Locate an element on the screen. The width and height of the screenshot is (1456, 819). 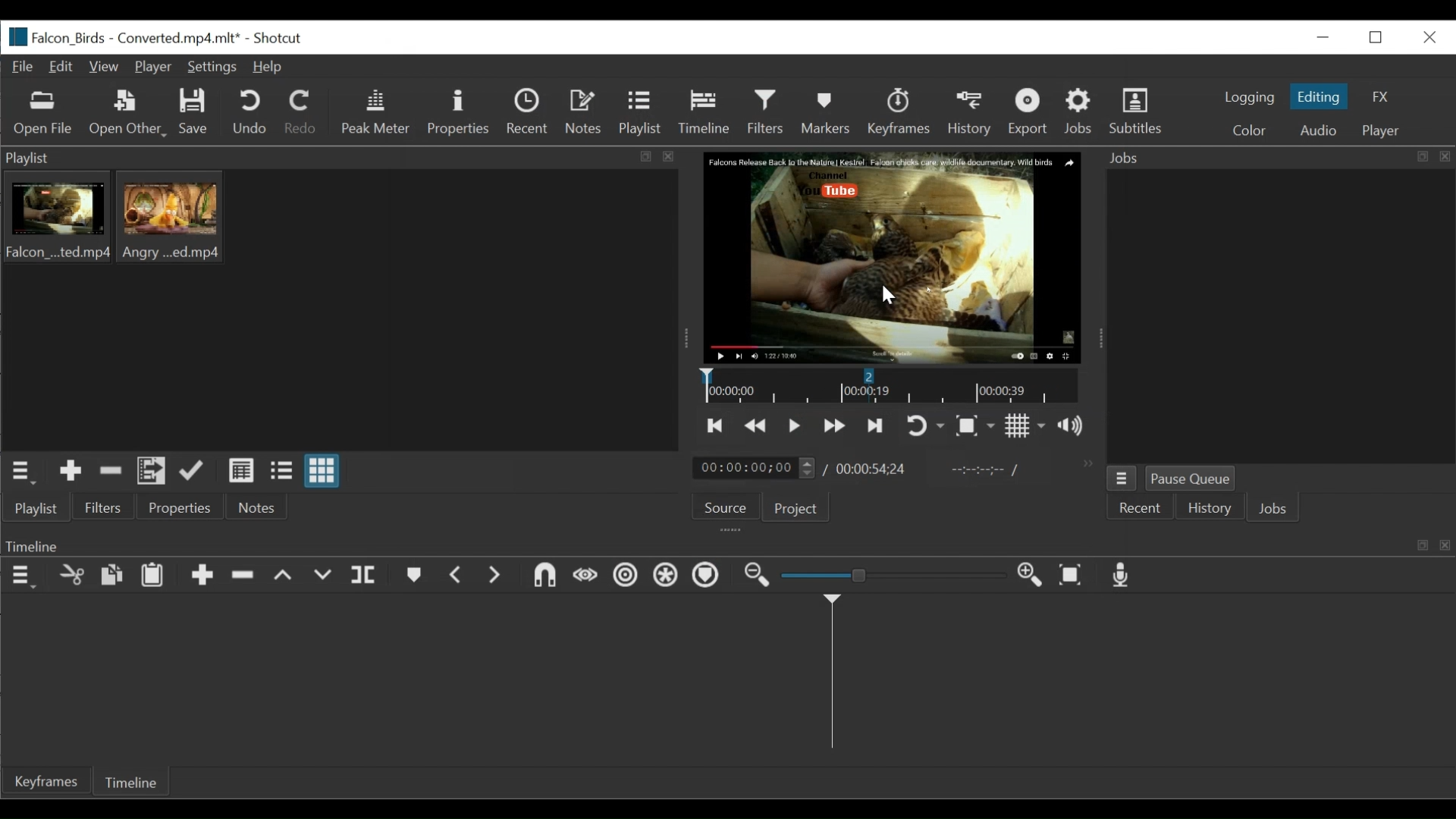
Timeline cursor is located at coordinates (831, 676).